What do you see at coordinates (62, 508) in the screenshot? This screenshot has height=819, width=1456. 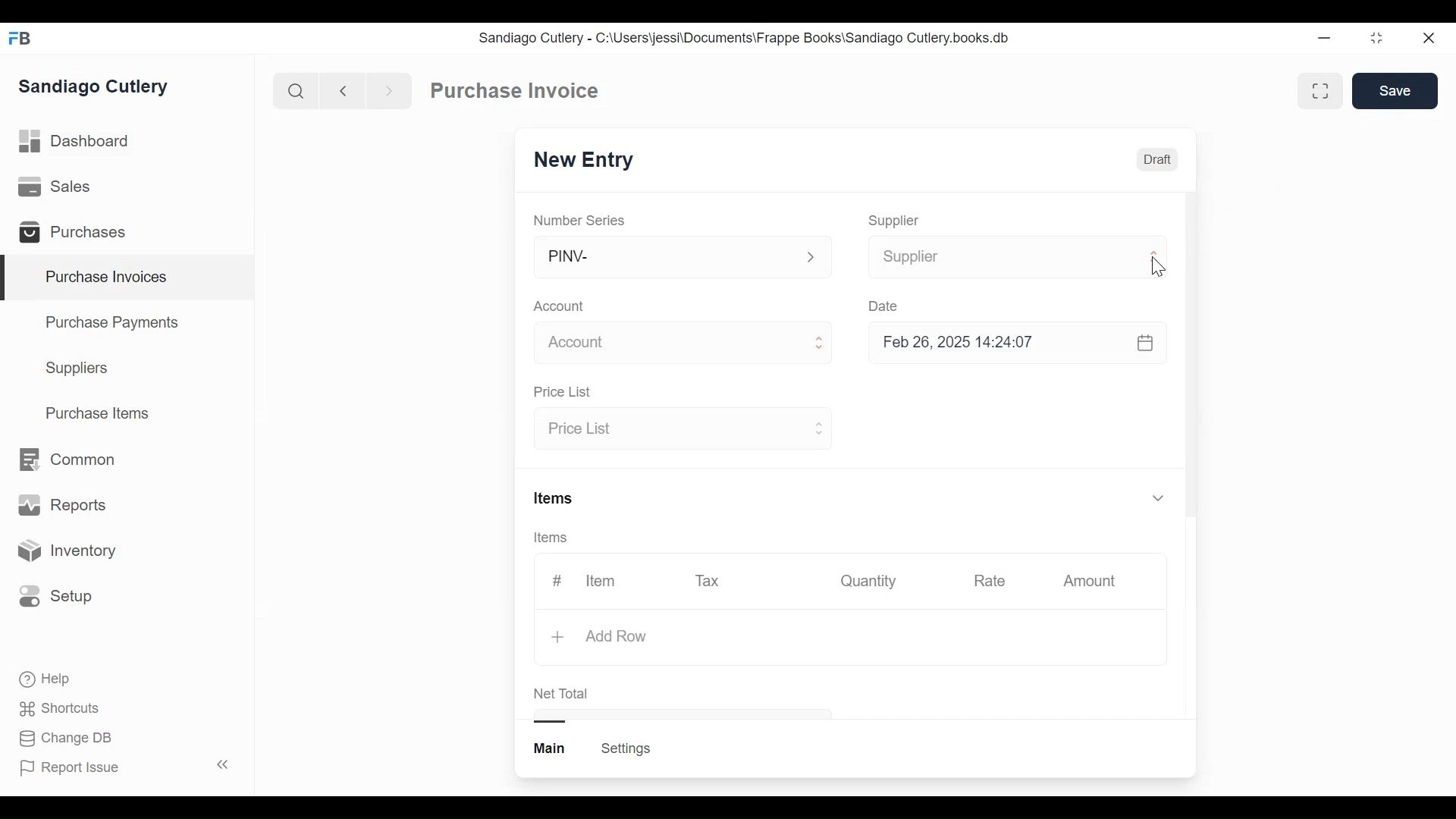 I see `Reports` at bounding box center [62, 508].